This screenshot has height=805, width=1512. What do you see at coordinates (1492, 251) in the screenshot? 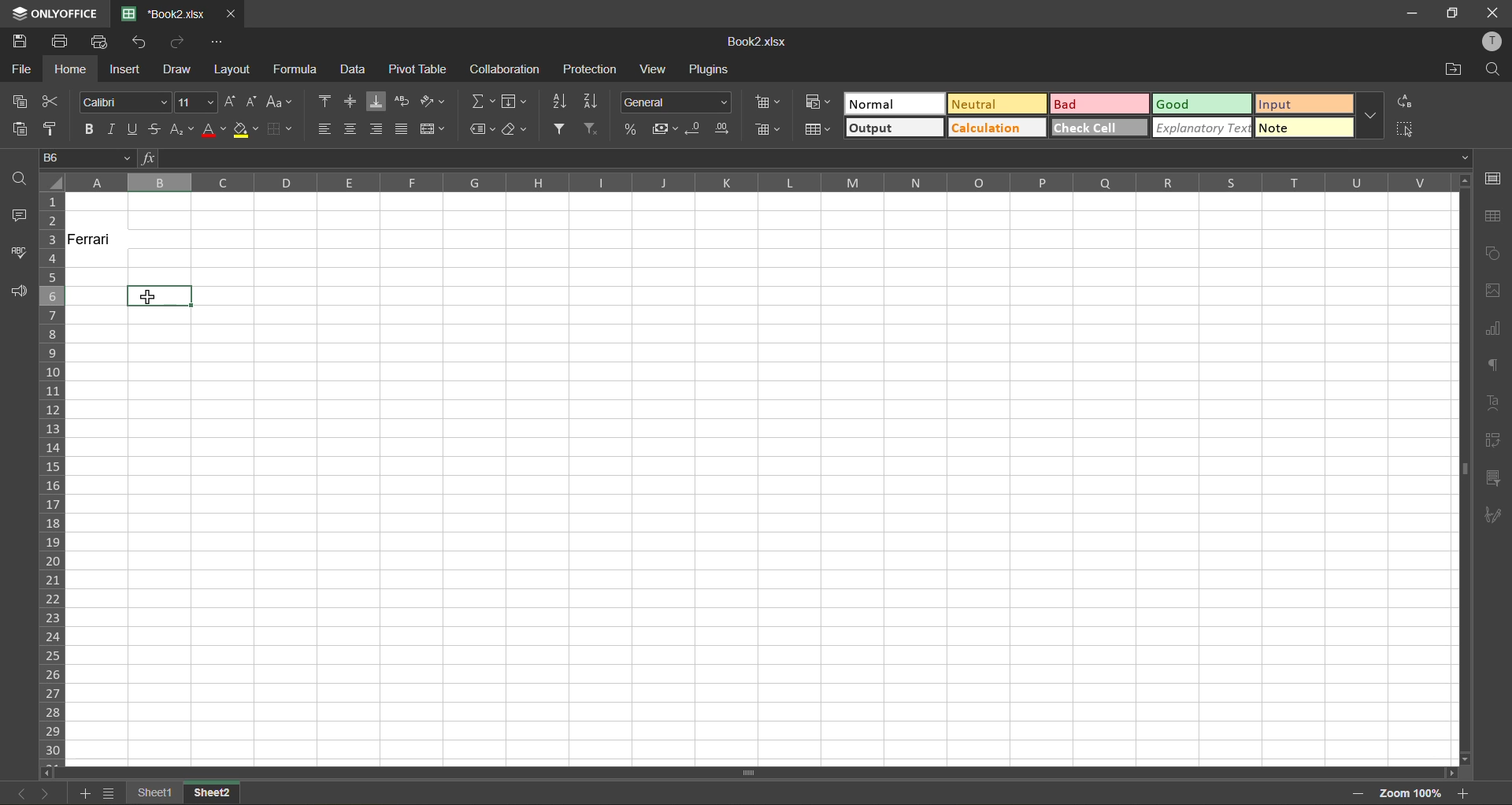
I see `shapes` at bounding box center [1492, 251].